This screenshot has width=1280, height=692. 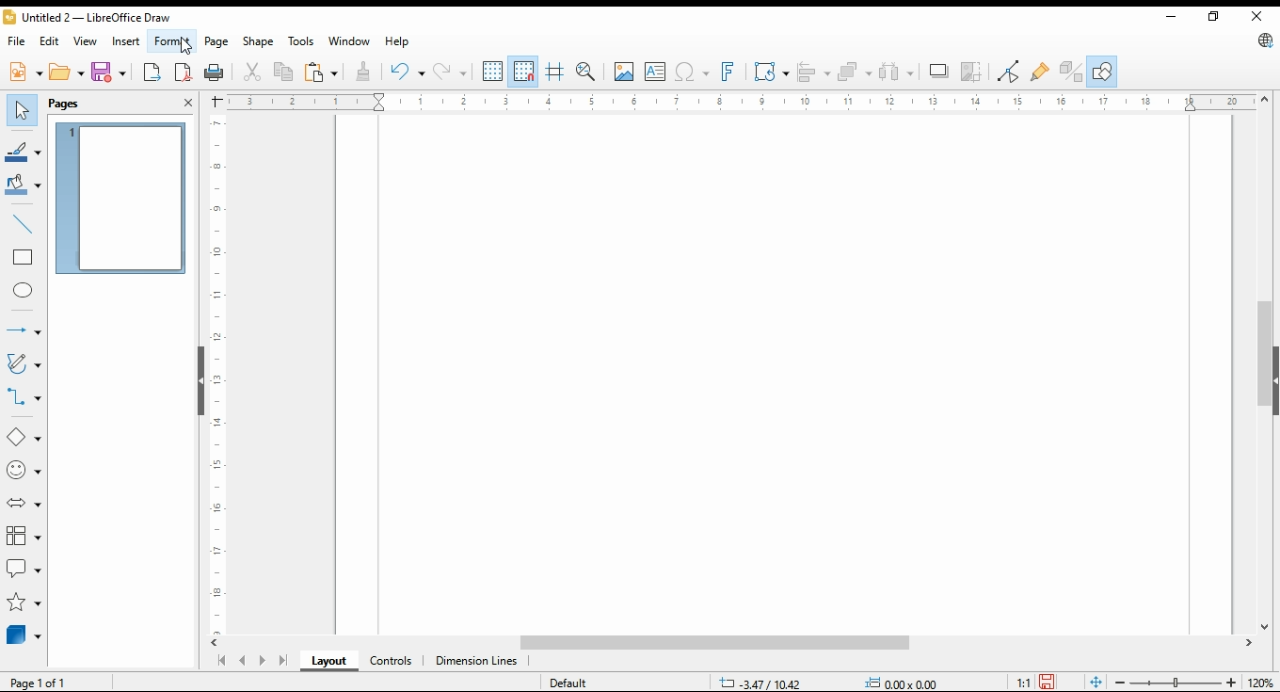 I want to click on insert, so click(x=126, y=40).